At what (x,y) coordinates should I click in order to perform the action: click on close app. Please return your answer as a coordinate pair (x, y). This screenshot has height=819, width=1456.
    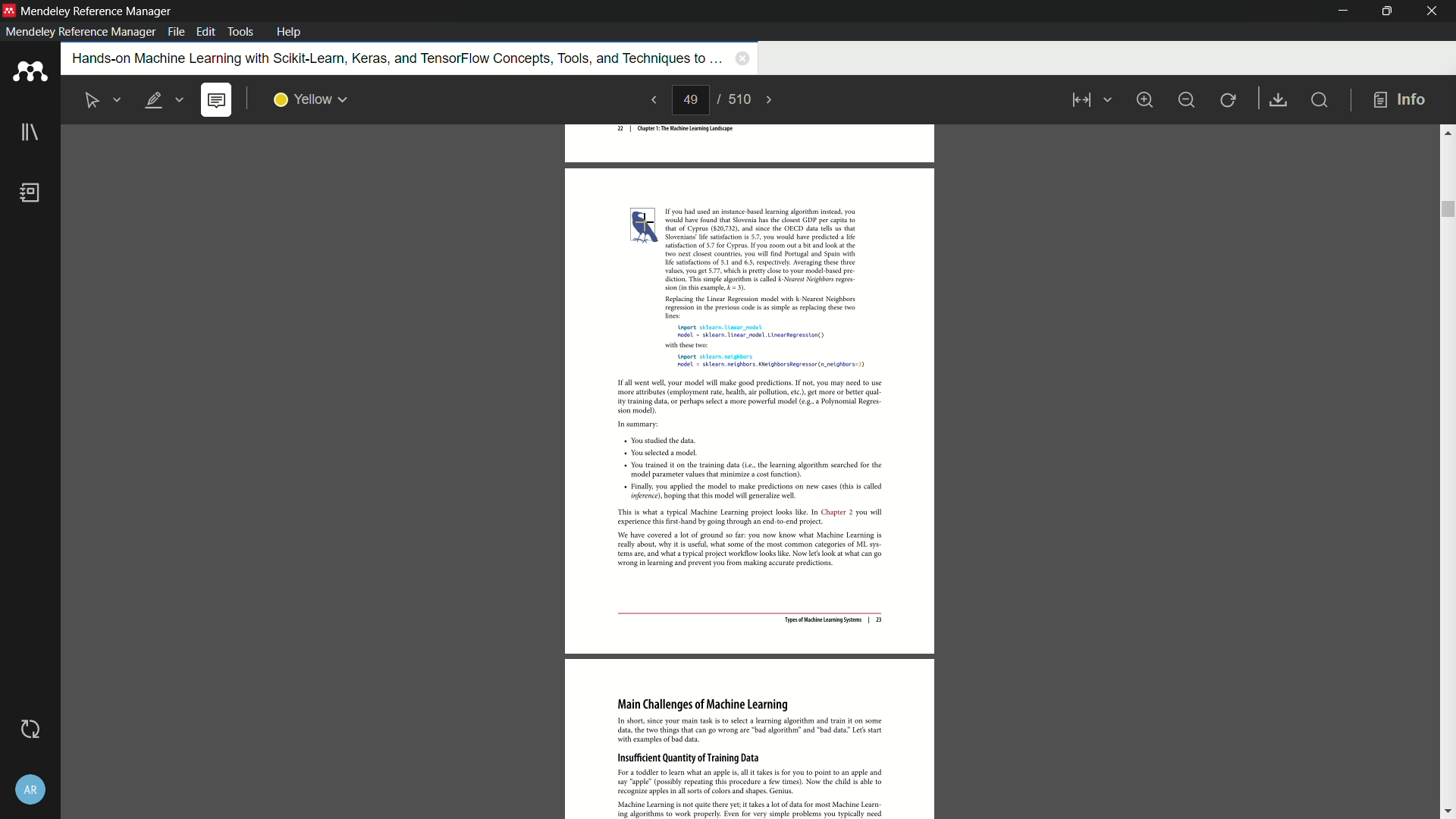
    Looking at the image, I should click on (1432, 11).